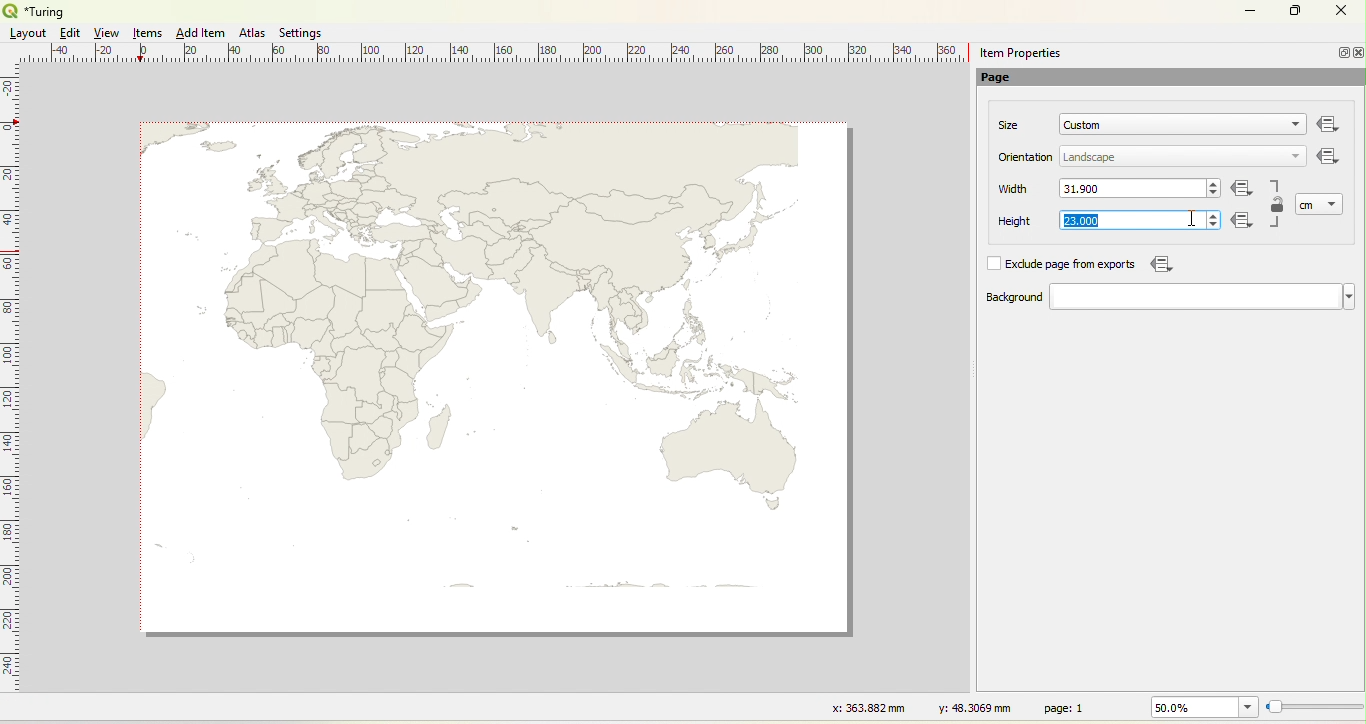 This screenshot has height=724, width=1366. What do you see at coordinates (1006, 79) in the screenshot?
I see `Page` at bounding box center [1006, 79].